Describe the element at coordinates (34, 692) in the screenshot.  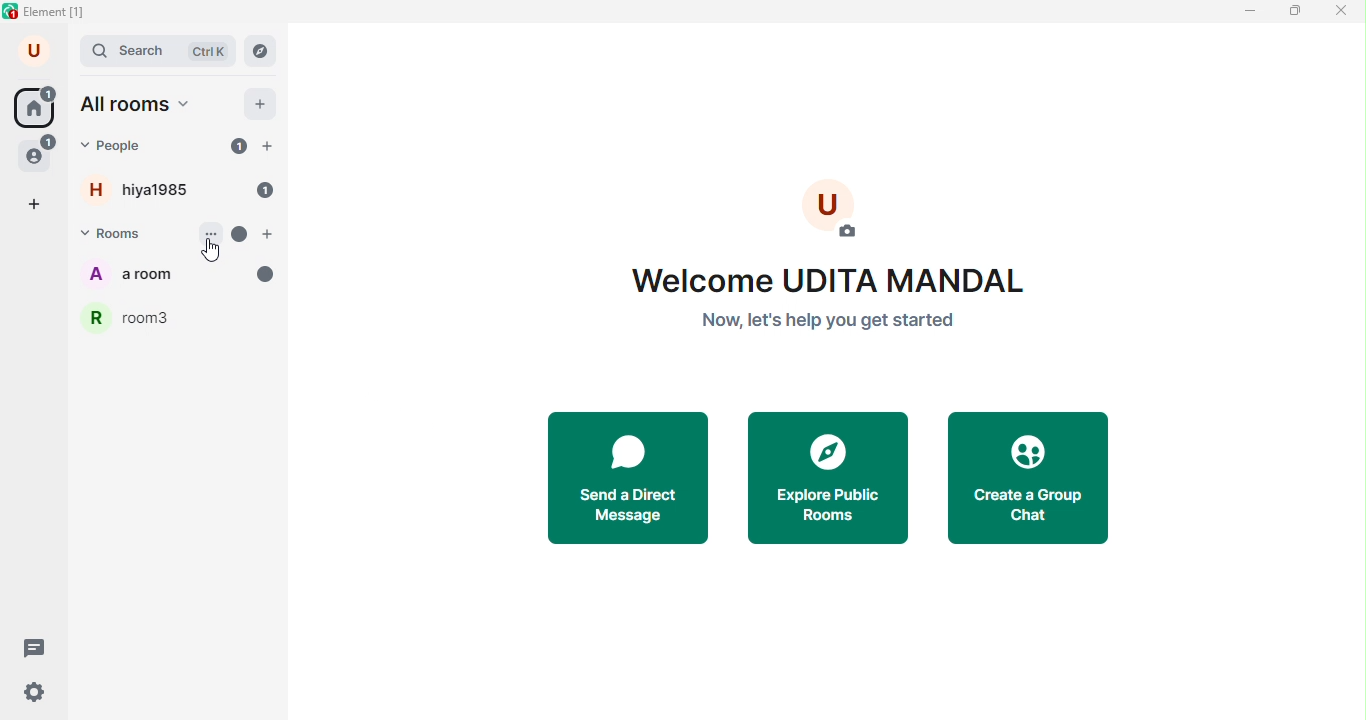
I see `quick settings` at that location.